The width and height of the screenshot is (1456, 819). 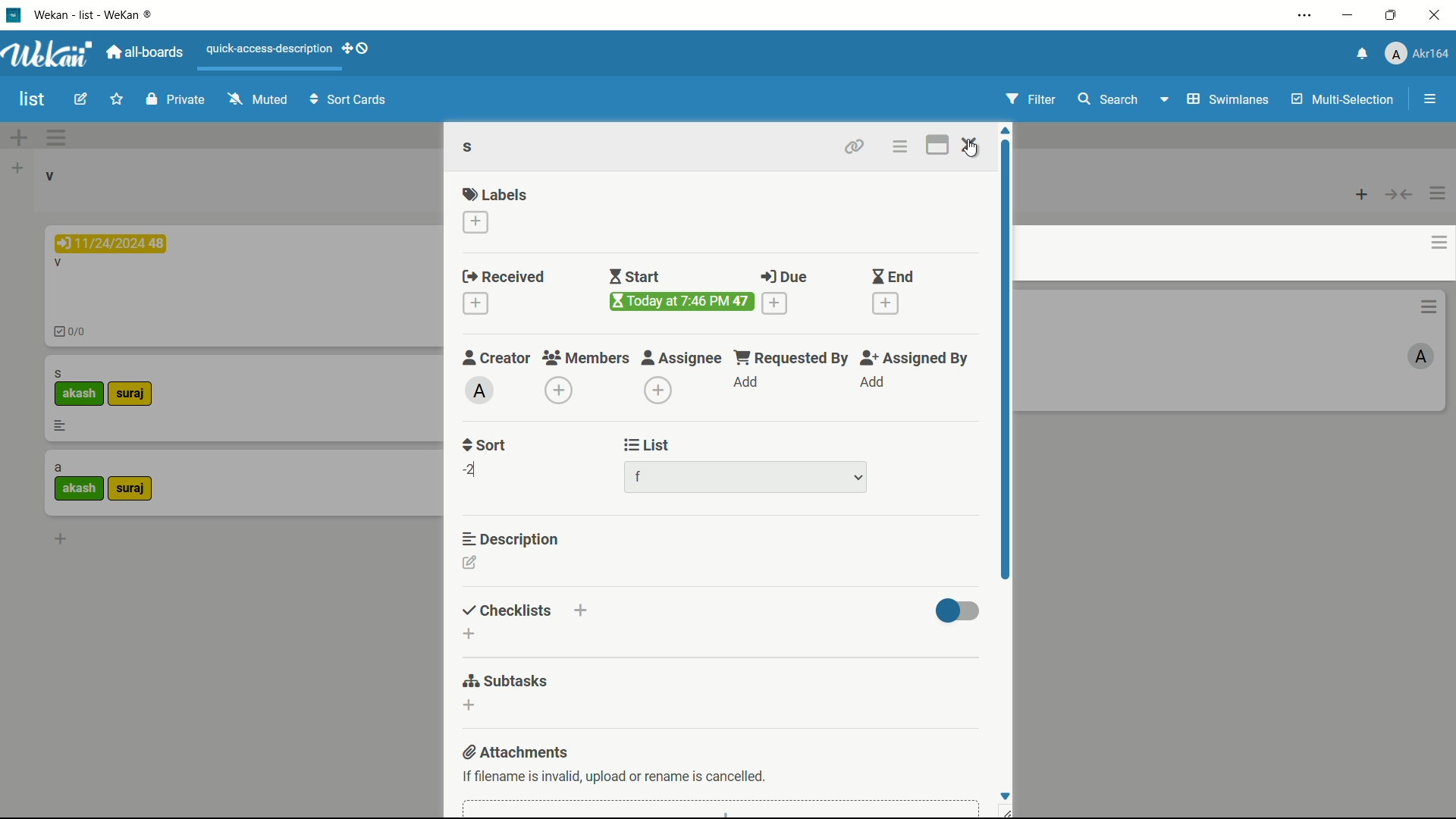 I want to click on minimize, so click(x=1348, y=17).